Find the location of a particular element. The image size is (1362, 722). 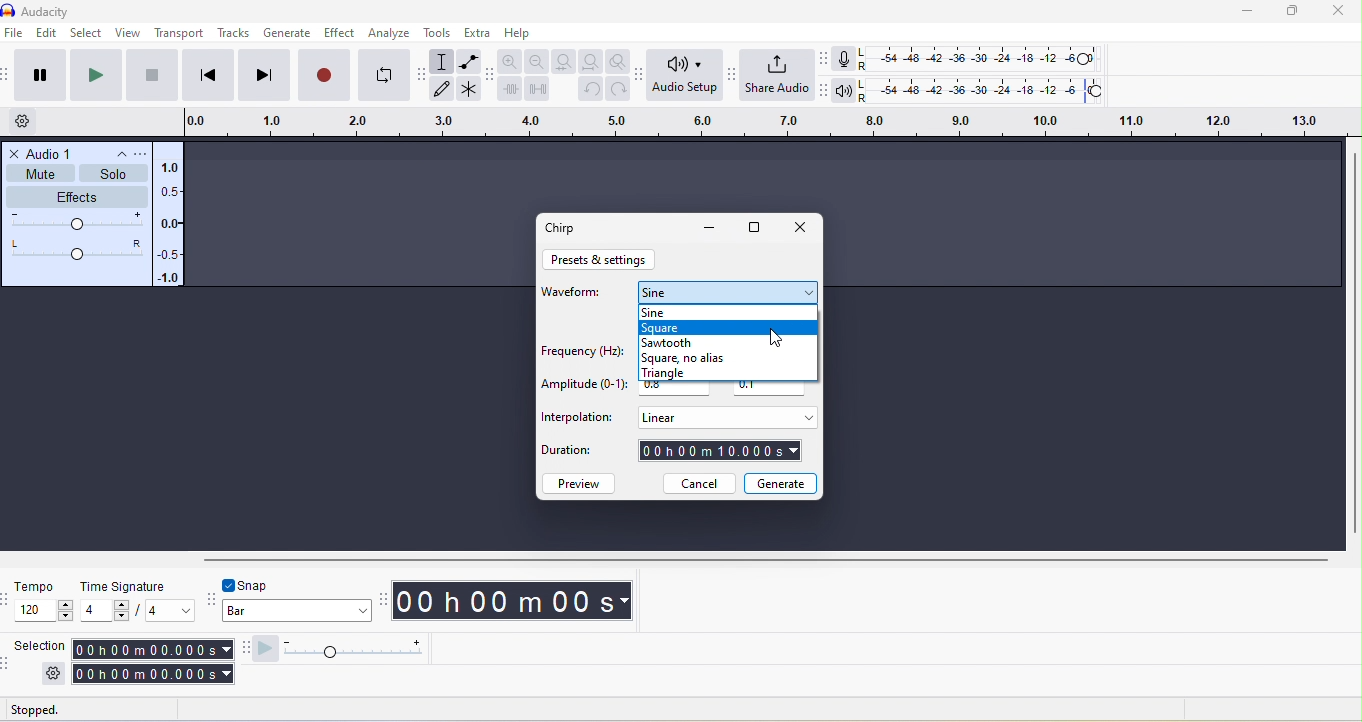

preview is located at coordinates (581, 483).